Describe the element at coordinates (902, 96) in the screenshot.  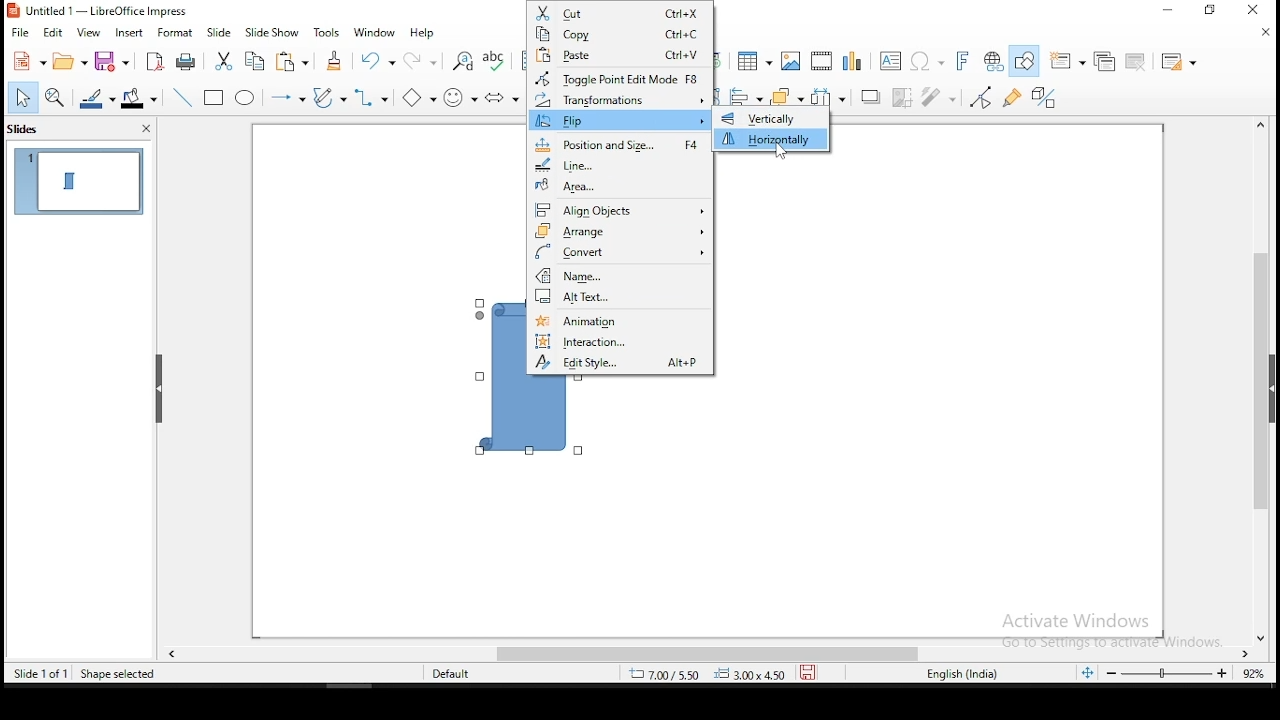
I see `crop image` at that location.